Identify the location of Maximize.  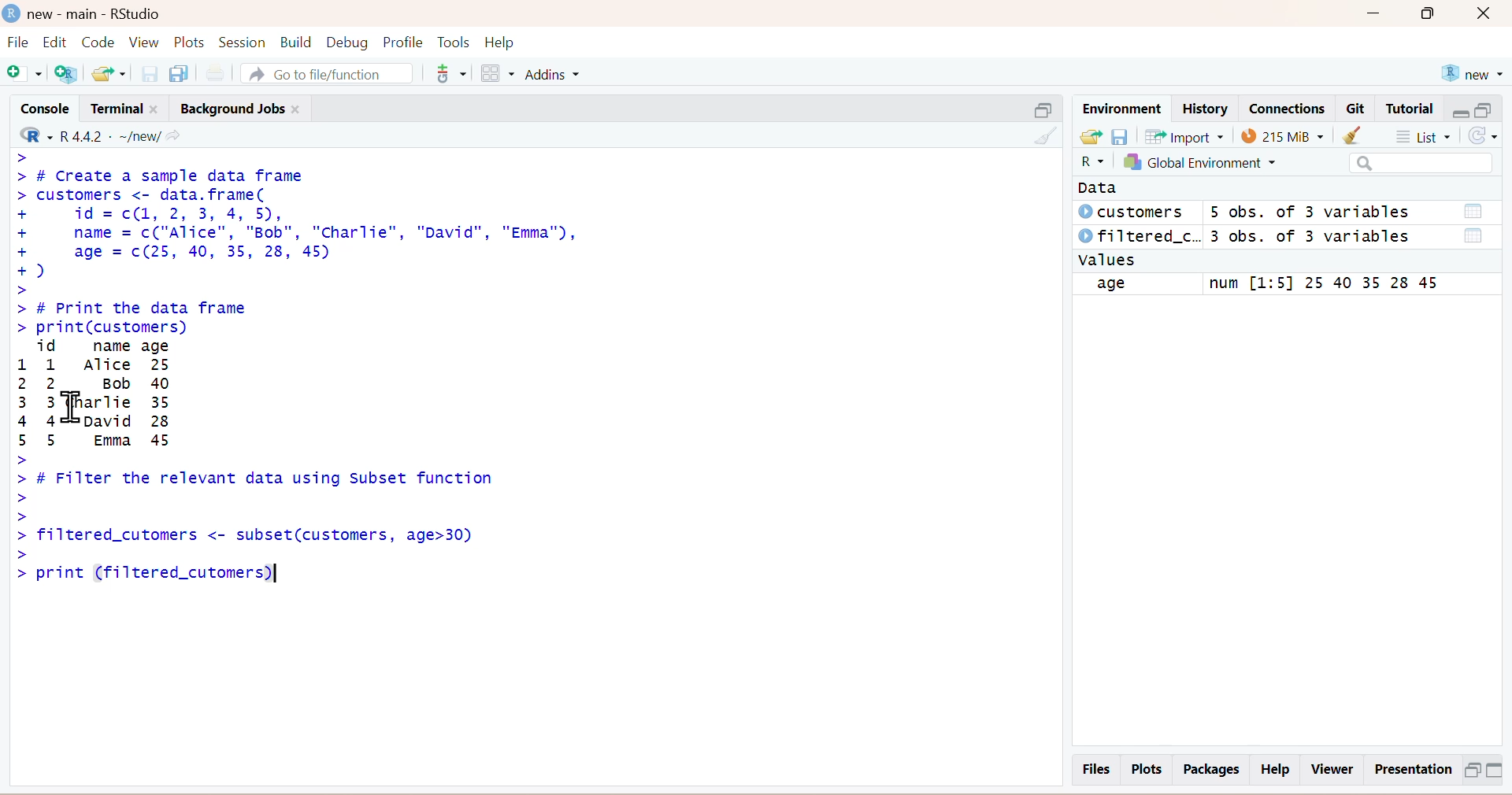
(1434, 17).